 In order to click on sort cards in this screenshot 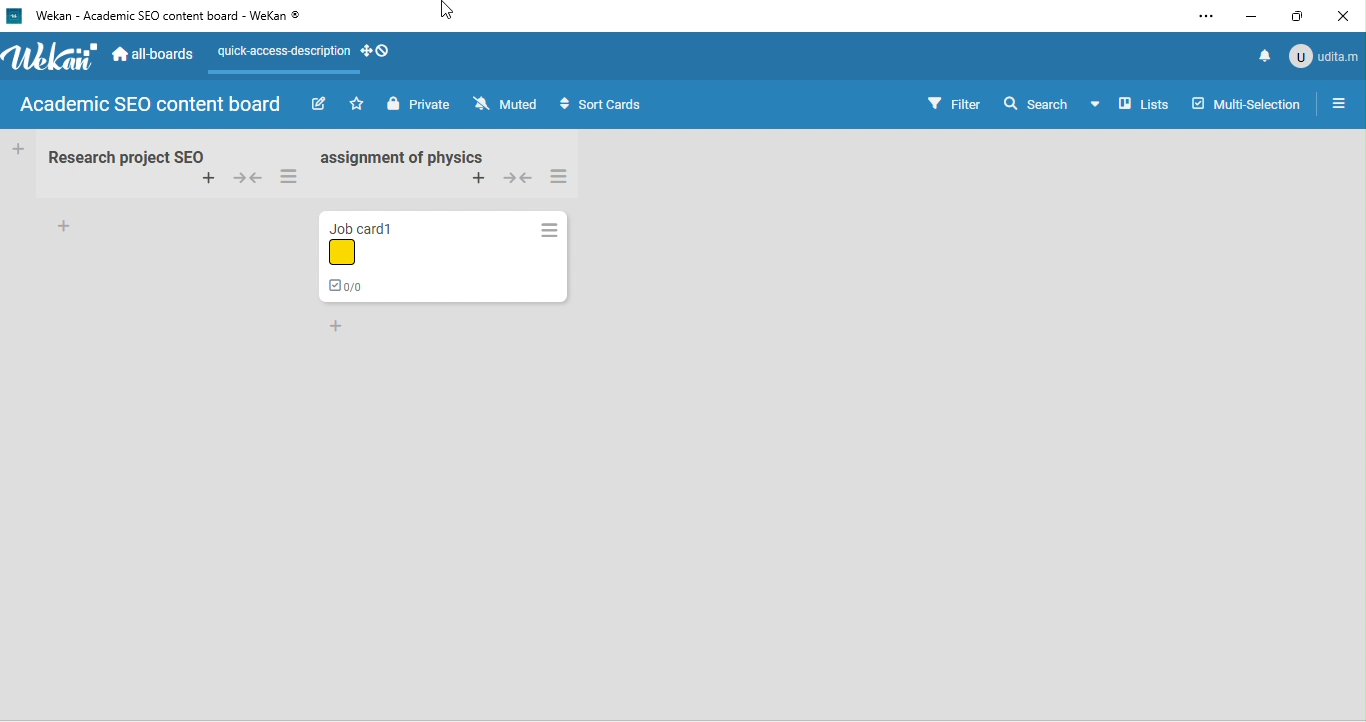, I will do `click(629, 104)`.